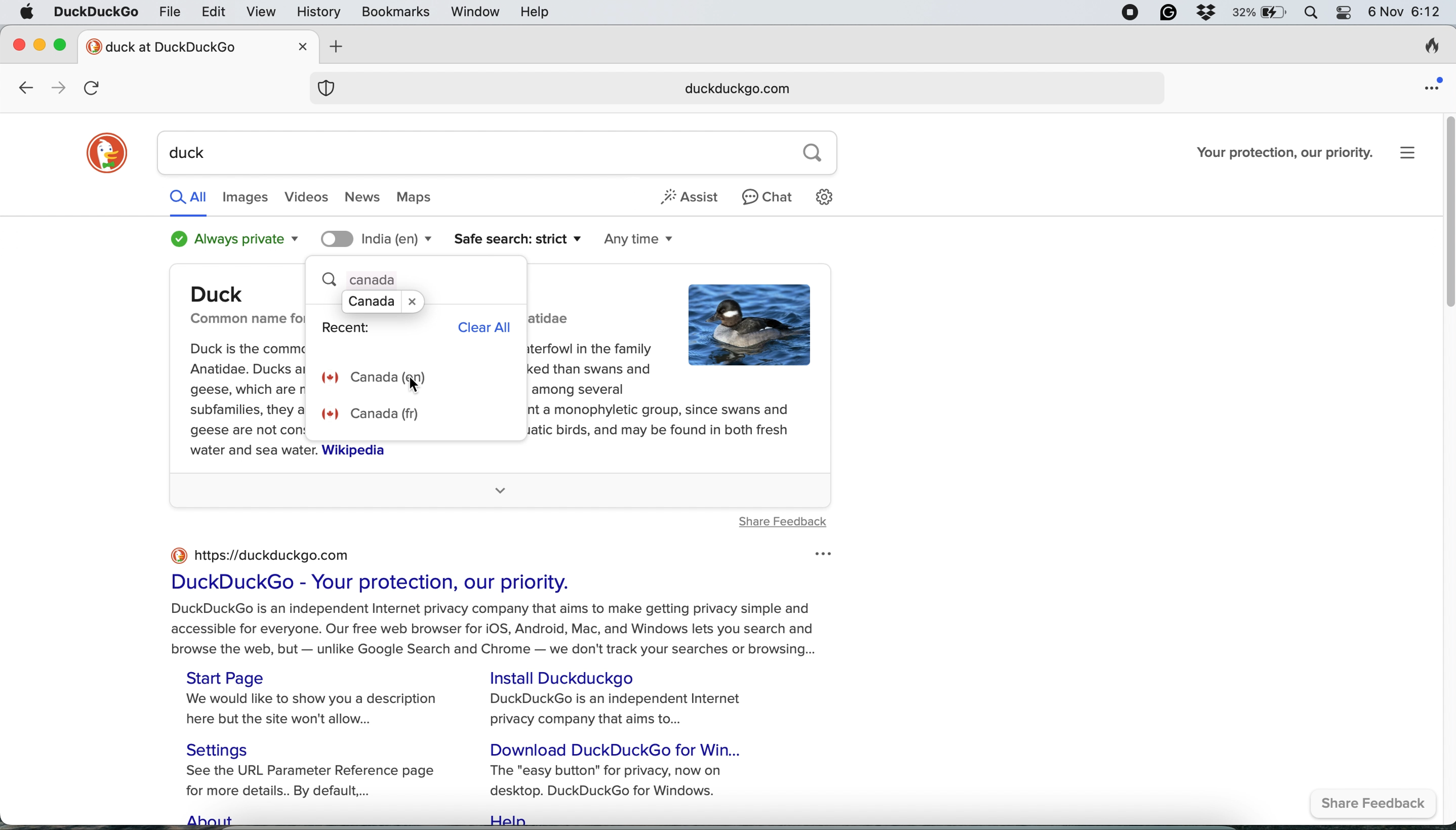 Image resolution: width=1456 pixels, height=830 pixels. What do you see at coordinates (95, 13) in the screenshot?
I see `duckduckgo` at bounding box center [95, 13].